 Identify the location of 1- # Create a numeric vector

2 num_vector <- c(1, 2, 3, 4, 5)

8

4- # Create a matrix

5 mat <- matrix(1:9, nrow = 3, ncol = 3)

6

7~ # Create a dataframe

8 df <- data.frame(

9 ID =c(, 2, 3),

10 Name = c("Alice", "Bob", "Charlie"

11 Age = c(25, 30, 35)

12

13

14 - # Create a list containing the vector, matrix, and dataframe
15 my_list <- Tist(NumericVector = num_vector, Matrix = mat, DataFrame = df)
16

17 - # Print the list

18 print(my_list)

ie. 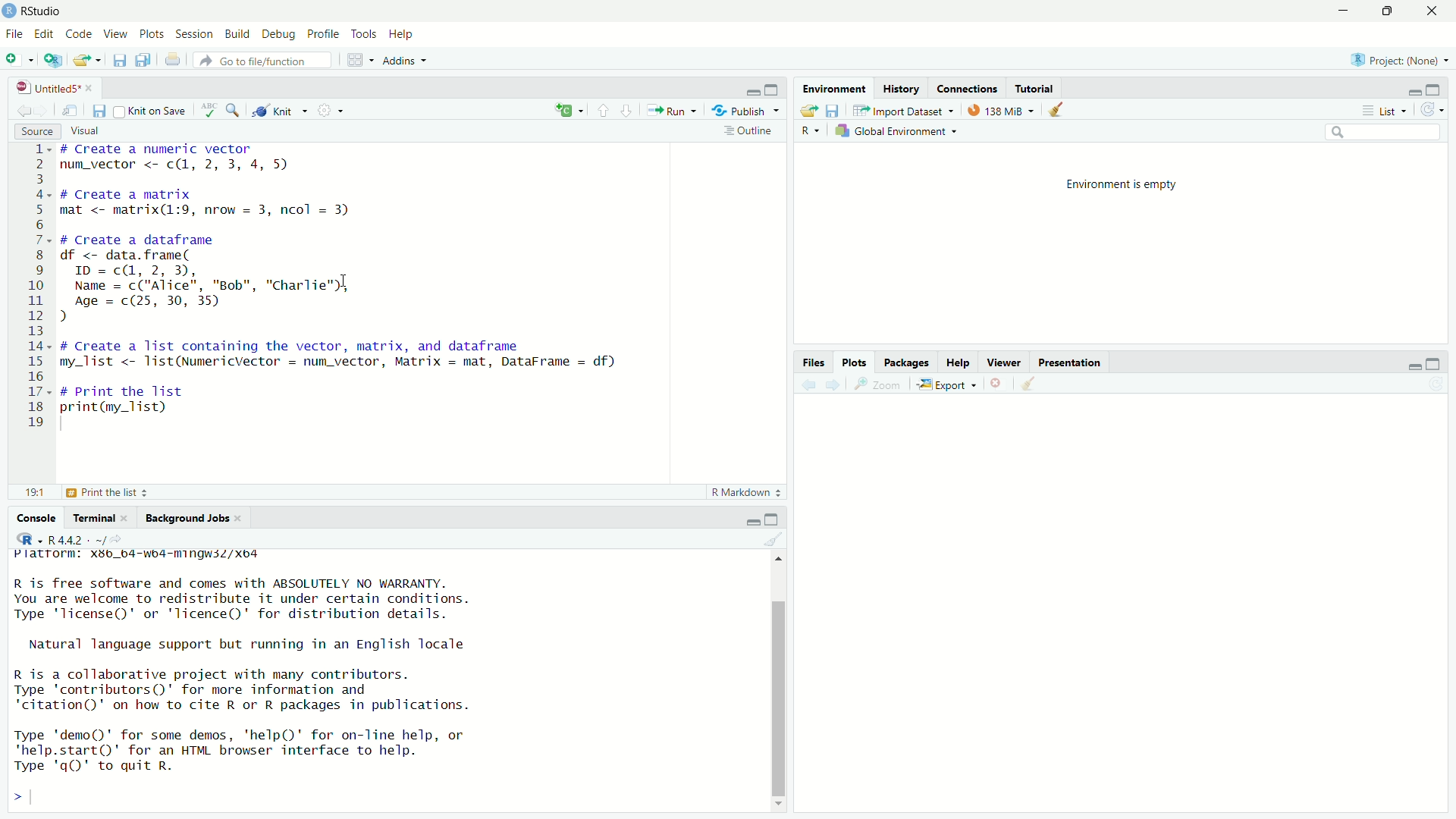
(325, 287).